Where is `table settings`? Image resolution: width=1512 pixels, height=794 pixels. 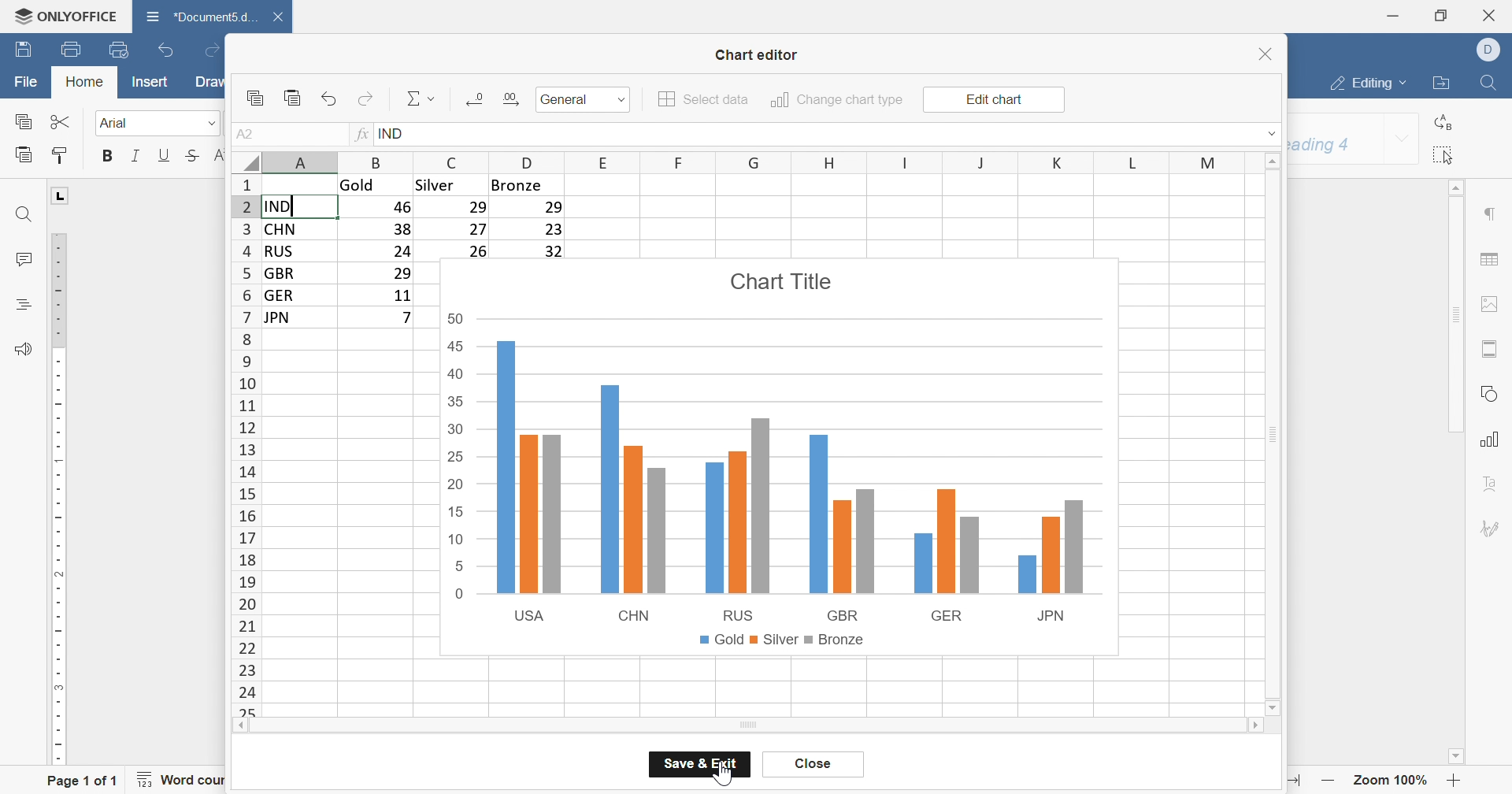 table settings is located at coordinates (1489, 259).